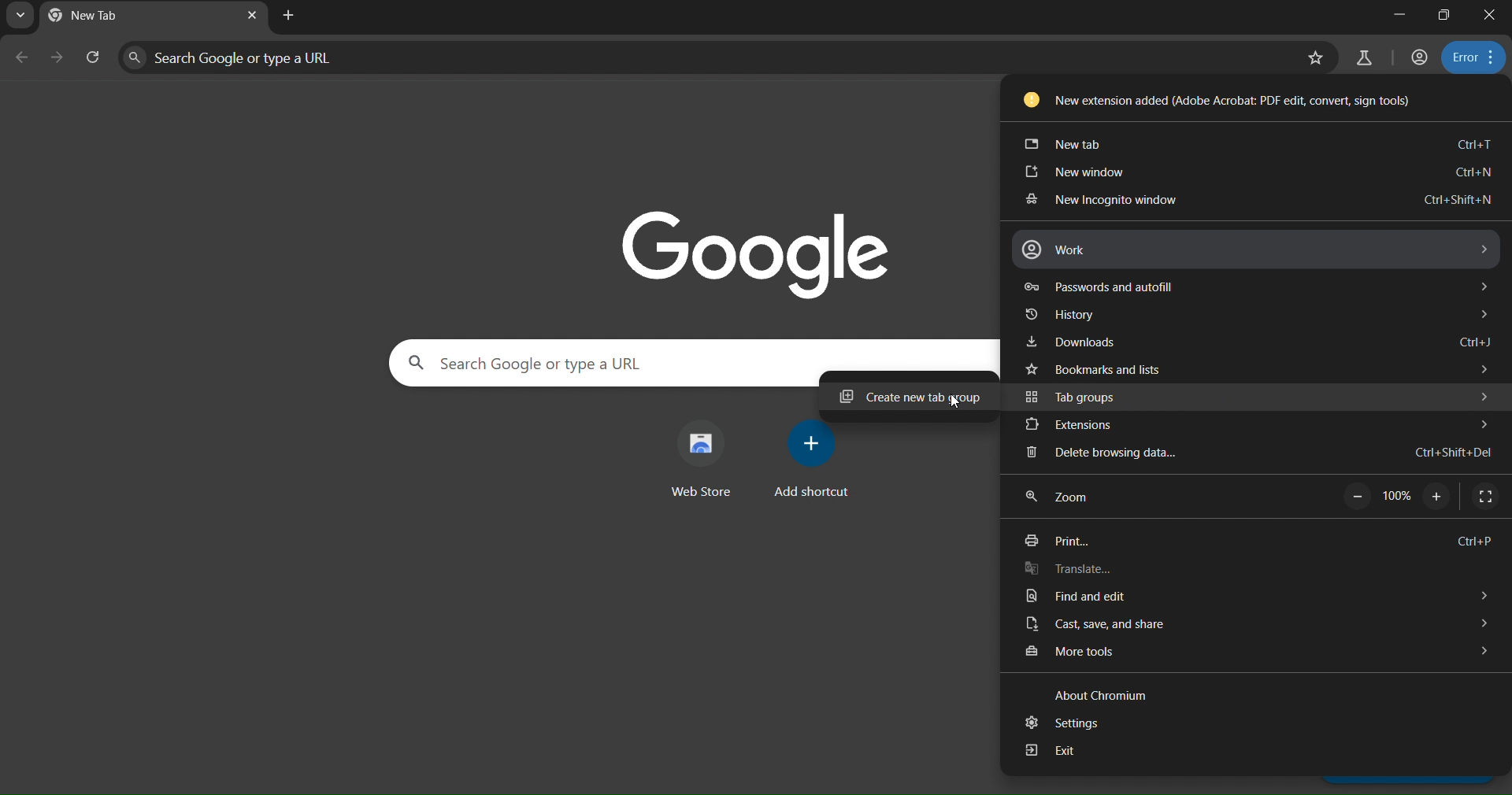 Image resolution: width=1512 pixels, height=795 pixels. Describe the element at coordinates (1253, 653) in the screenshot. I see `more tools` at that location.